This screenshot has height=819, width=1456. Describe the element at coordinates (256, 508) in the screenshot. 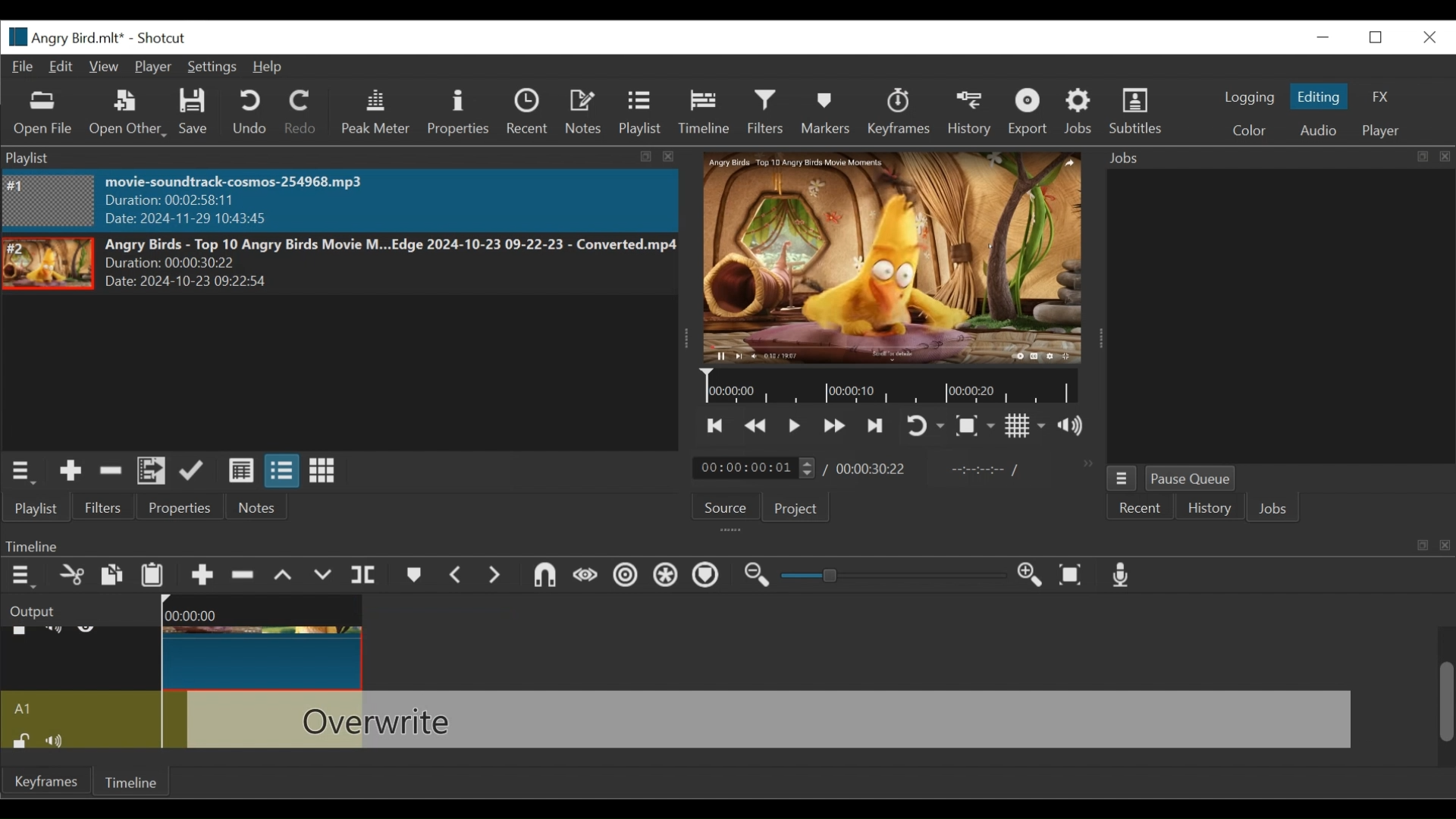

I see `Notes` at that location.